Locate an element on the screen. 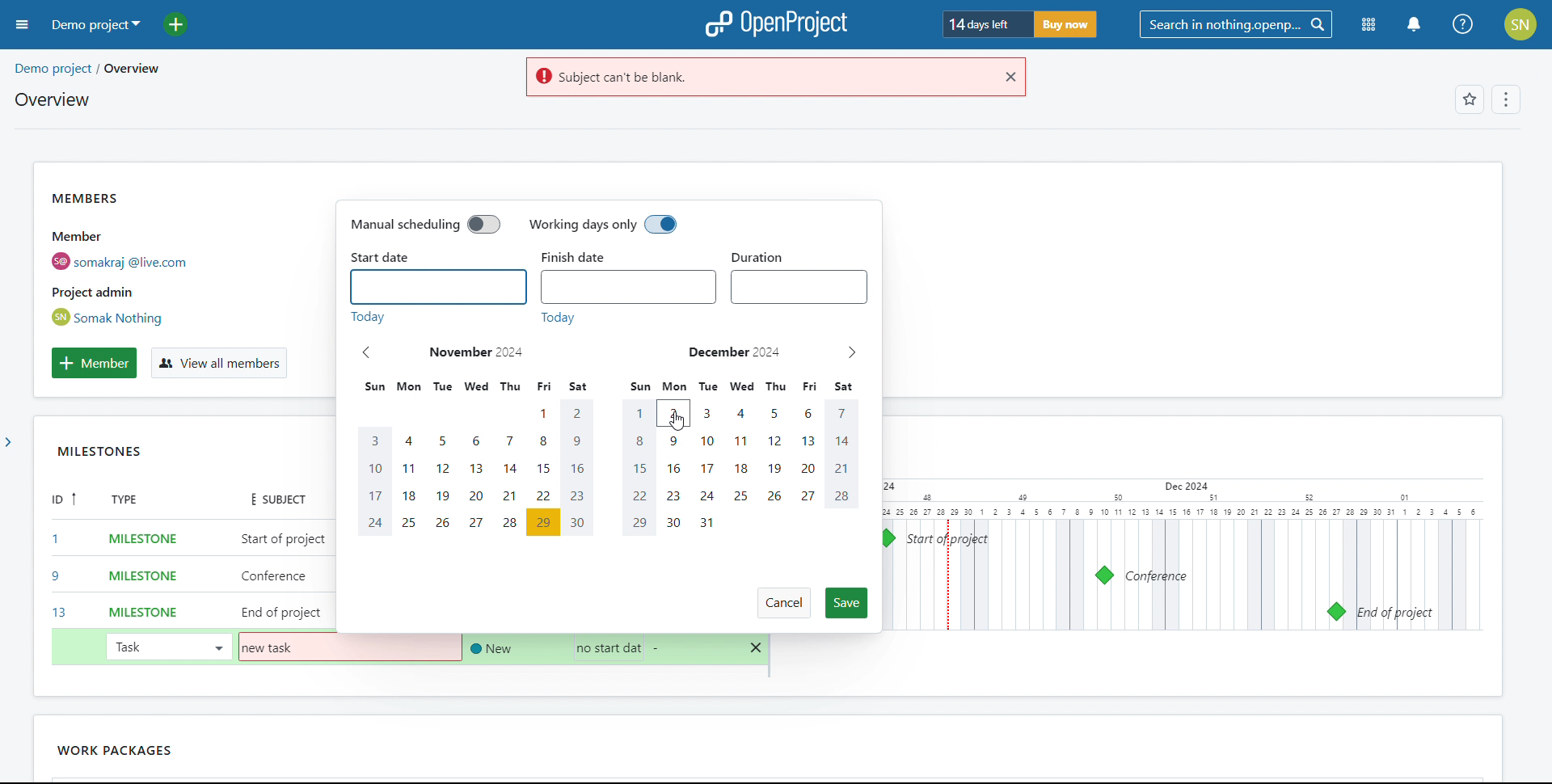 The width and height of the screenshot is (1552, 784). scroll up is located at coordinates (1541, 57).